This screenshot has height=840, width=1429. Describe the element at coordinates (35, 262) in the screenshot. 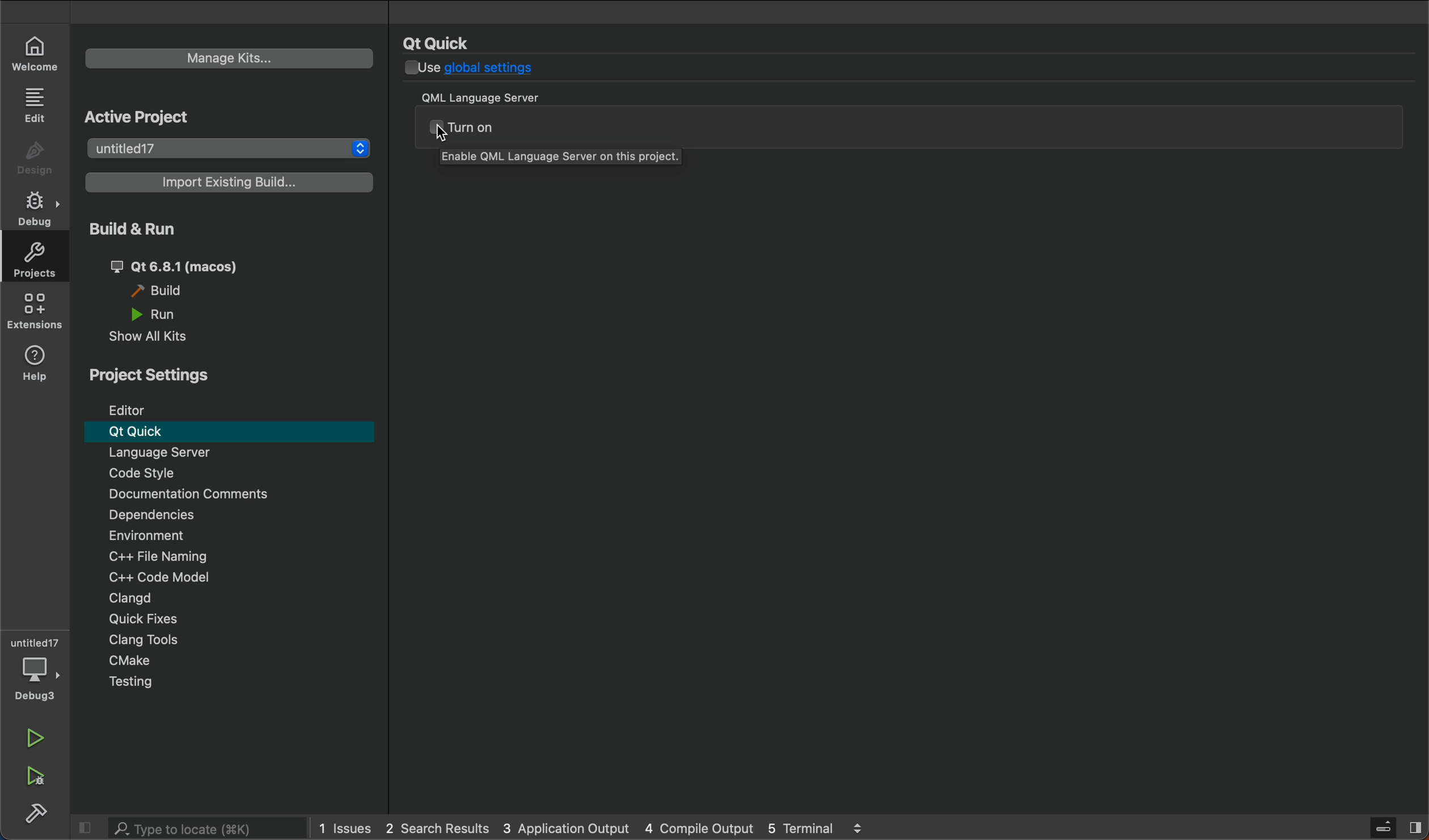

I see `projects` at that location.